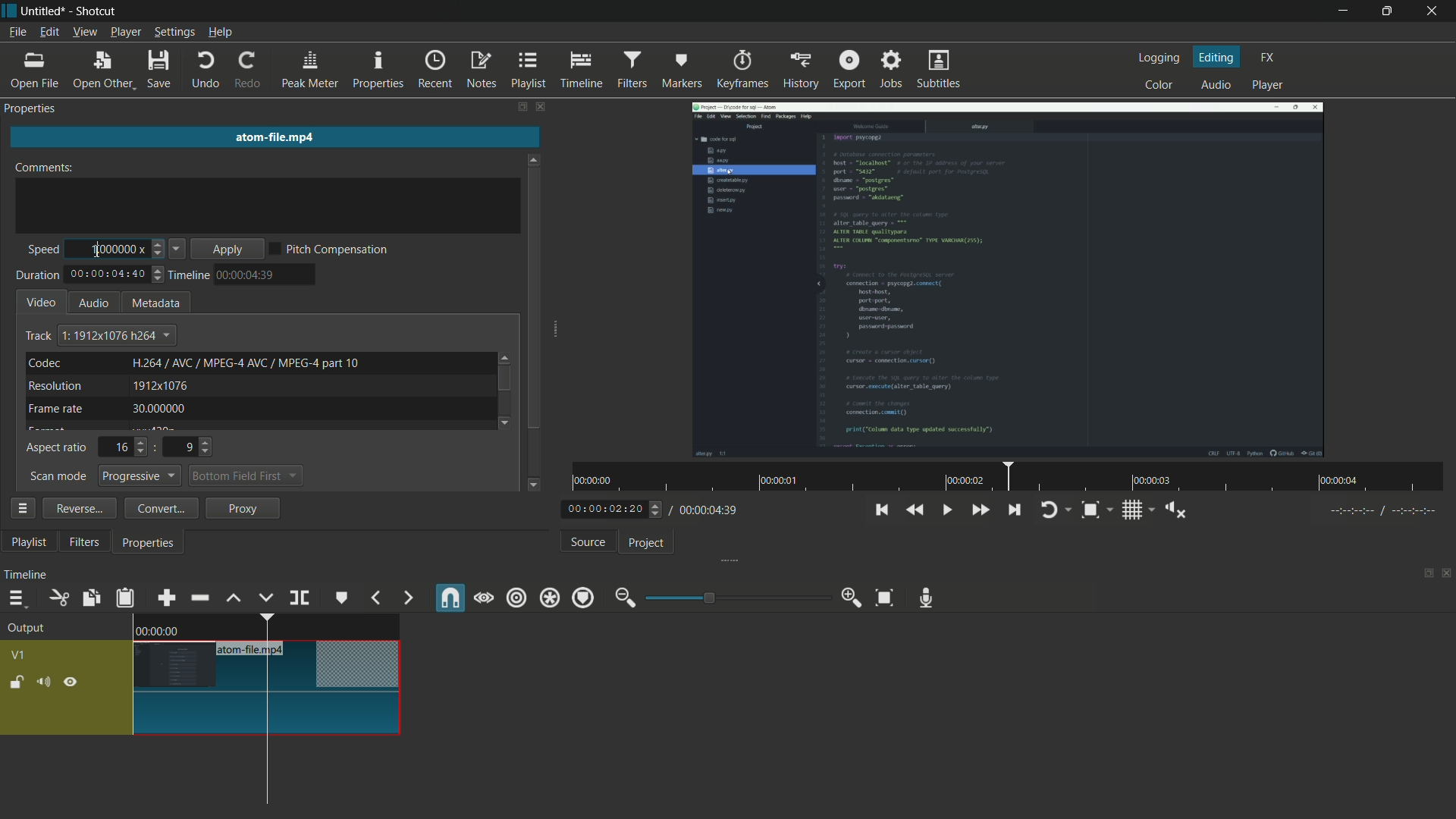 The image size is (1456, 819). Describe the element at coordinates (44, 168) in the screenshot. I see `comments` at that location.